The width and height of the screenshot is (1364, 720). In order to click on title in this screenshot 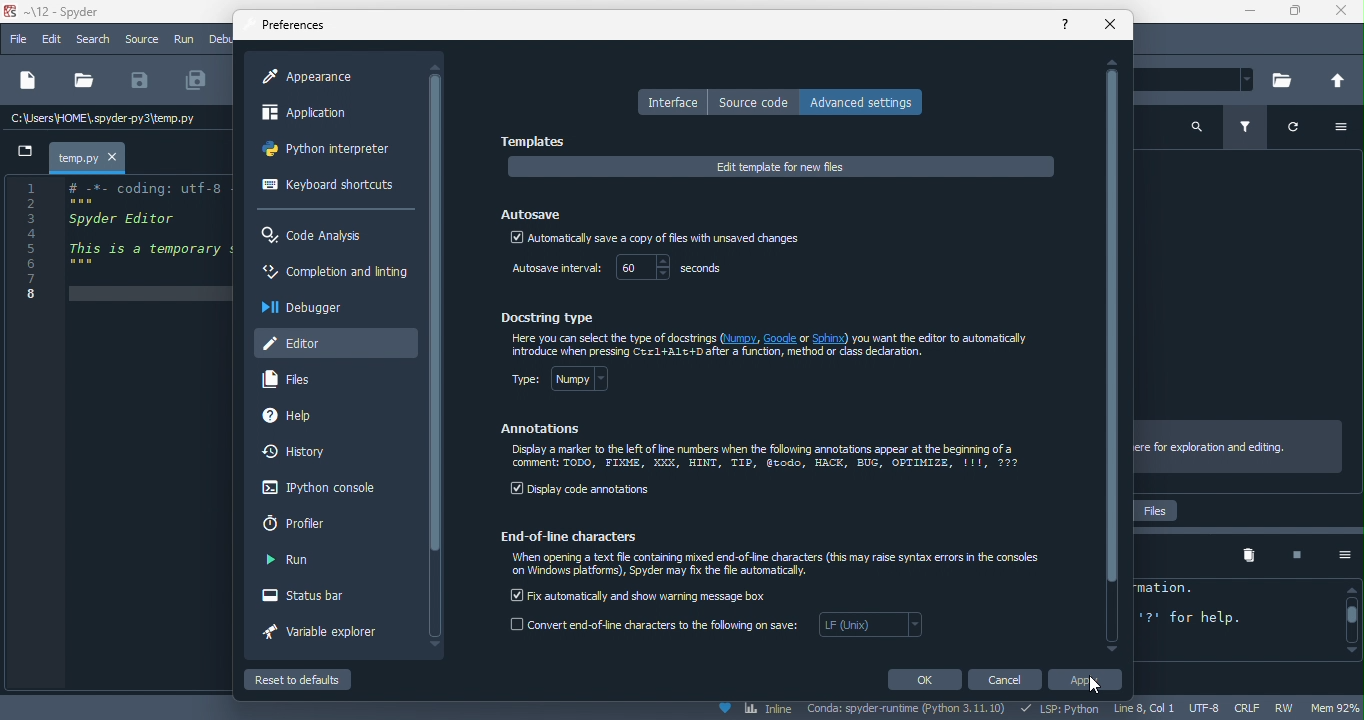, I will do `click(62, 13)`.